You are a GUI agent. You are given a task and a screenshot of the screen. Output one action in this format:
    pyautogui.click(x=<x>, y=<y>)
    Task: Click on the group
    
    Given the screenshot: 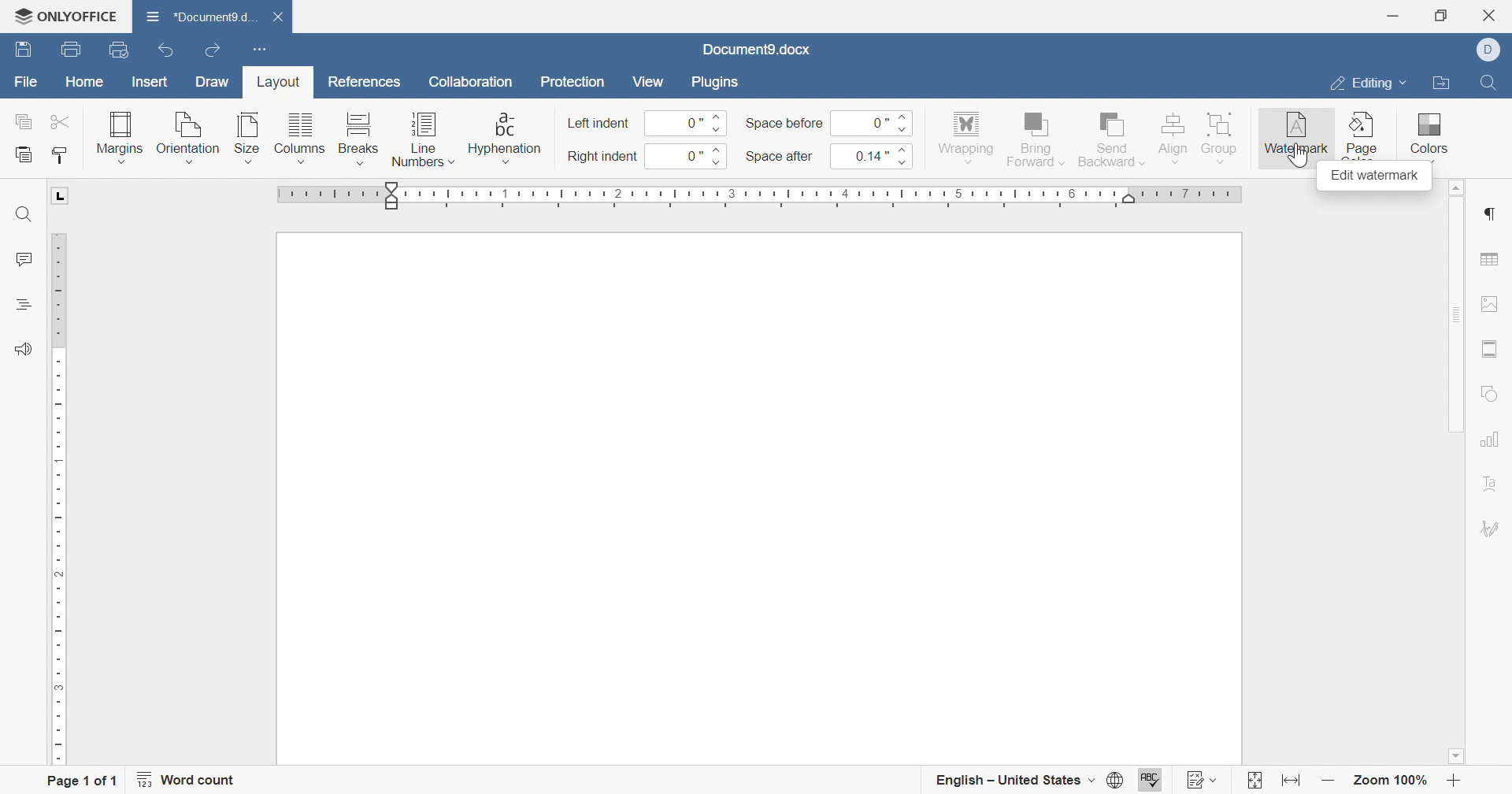 What is the action you would take?
    pyautogui.click(x=1221, y=136)
    